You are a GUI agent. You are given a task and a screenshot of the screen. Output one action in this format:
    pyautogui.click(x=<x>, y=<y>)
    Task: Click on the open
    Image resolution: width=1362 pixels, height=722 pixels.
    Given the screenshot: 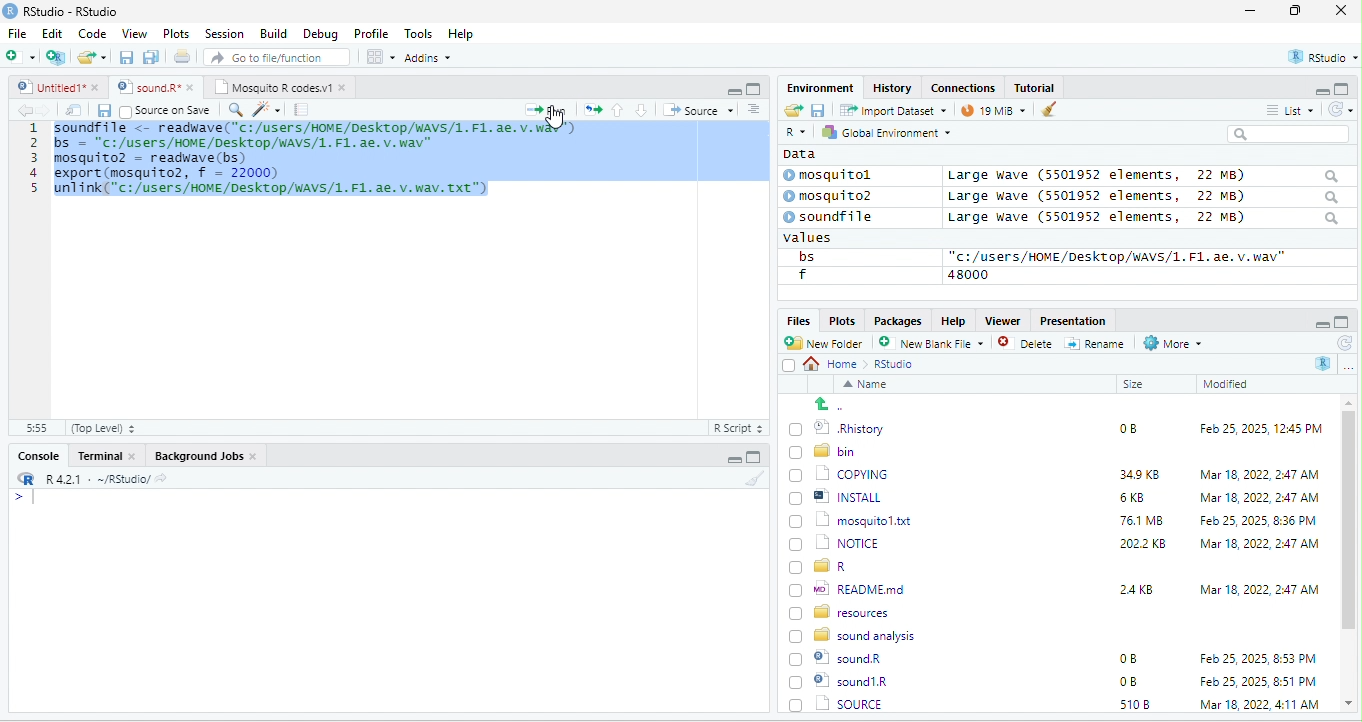 What is the action you would take?
    pyautogui.click(x=593, y=108)
    